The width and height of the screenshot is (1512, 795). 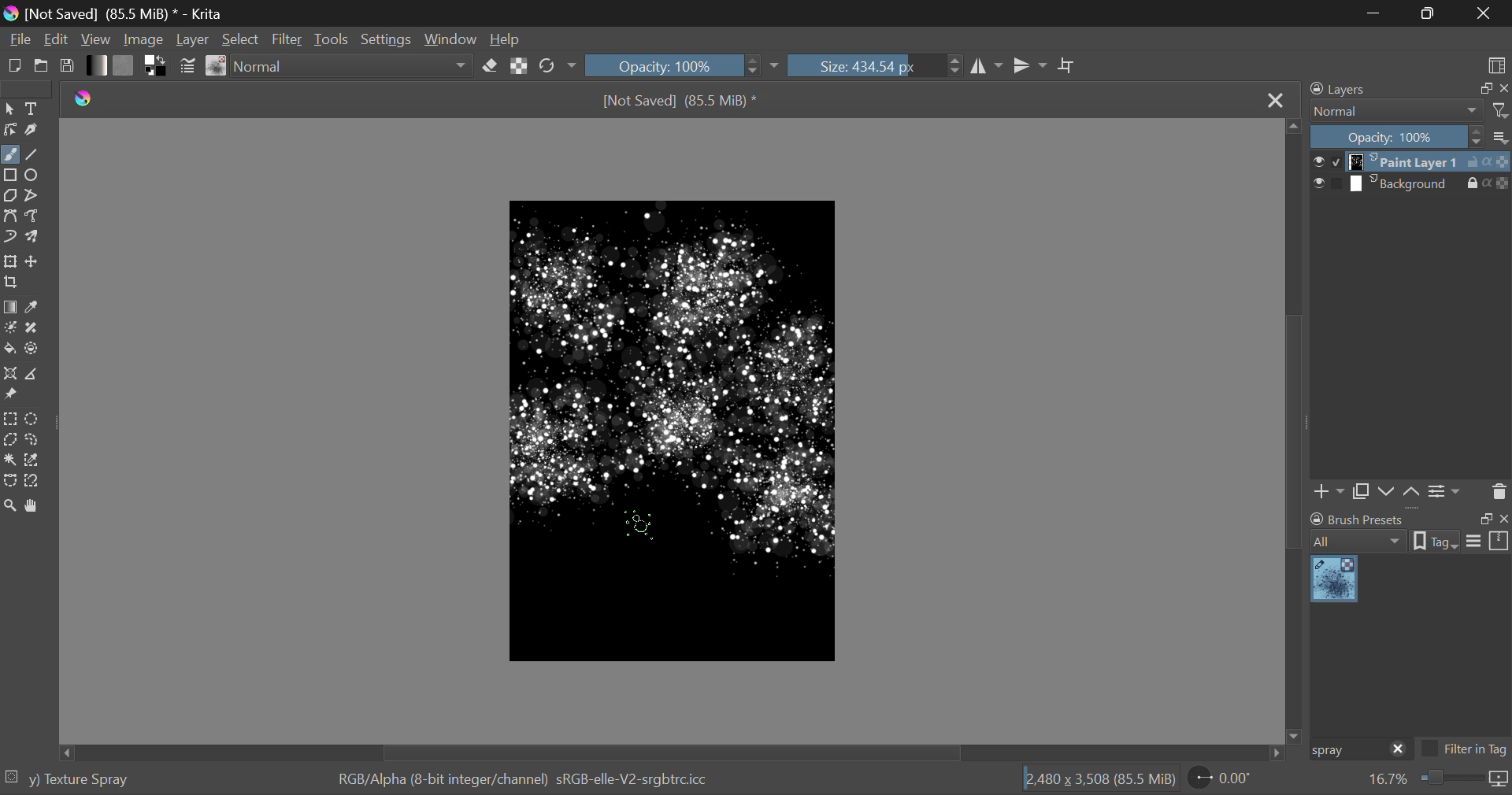 What do you see at coordinates (680, 102) in the screenshot?
I see `[Not Saved] (69.2 MiB) *` at bounding box center [680, 102].